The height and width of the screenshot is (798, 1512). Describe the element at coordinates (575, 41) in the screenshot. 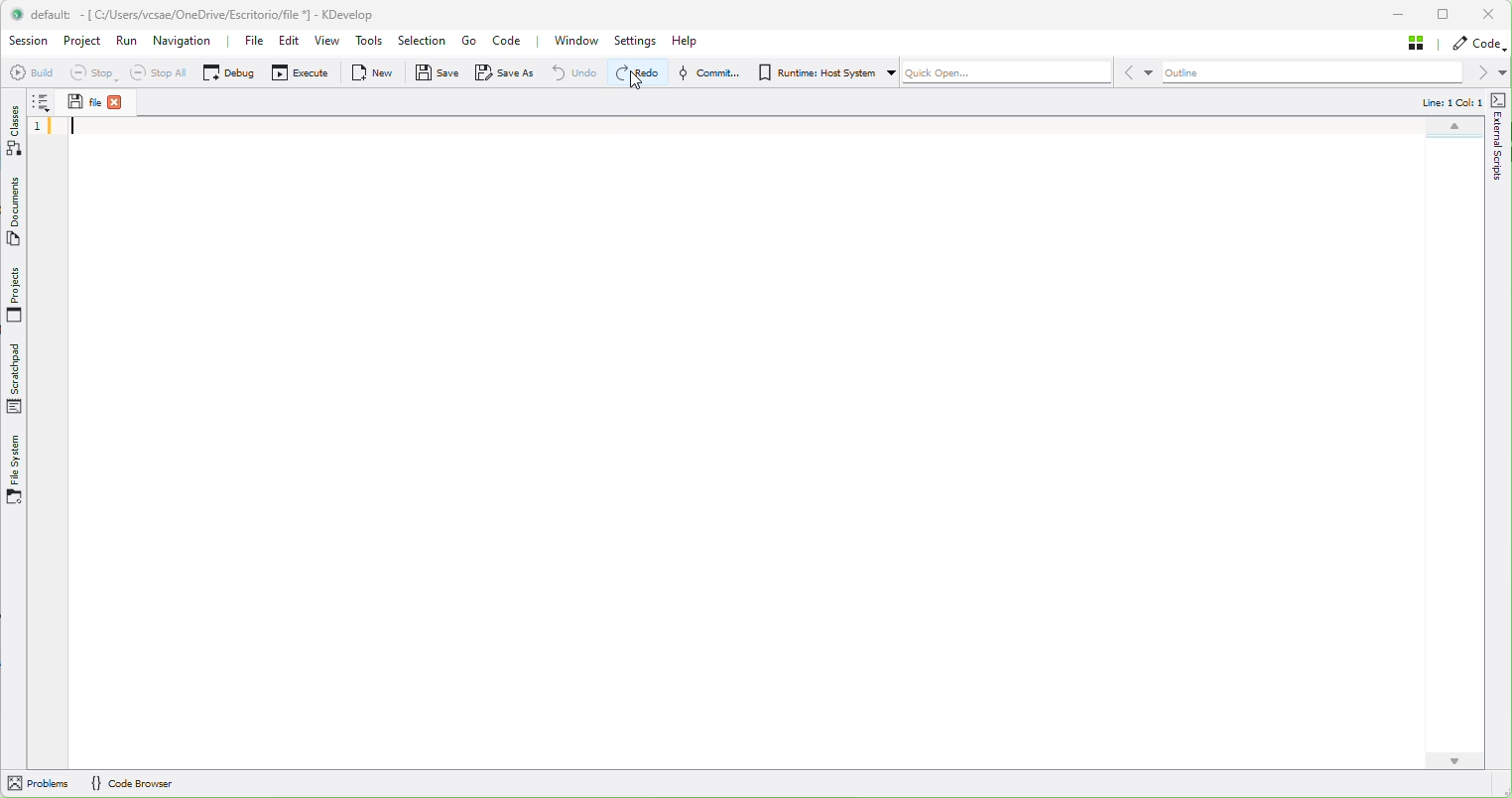

I see `Window` at that location.